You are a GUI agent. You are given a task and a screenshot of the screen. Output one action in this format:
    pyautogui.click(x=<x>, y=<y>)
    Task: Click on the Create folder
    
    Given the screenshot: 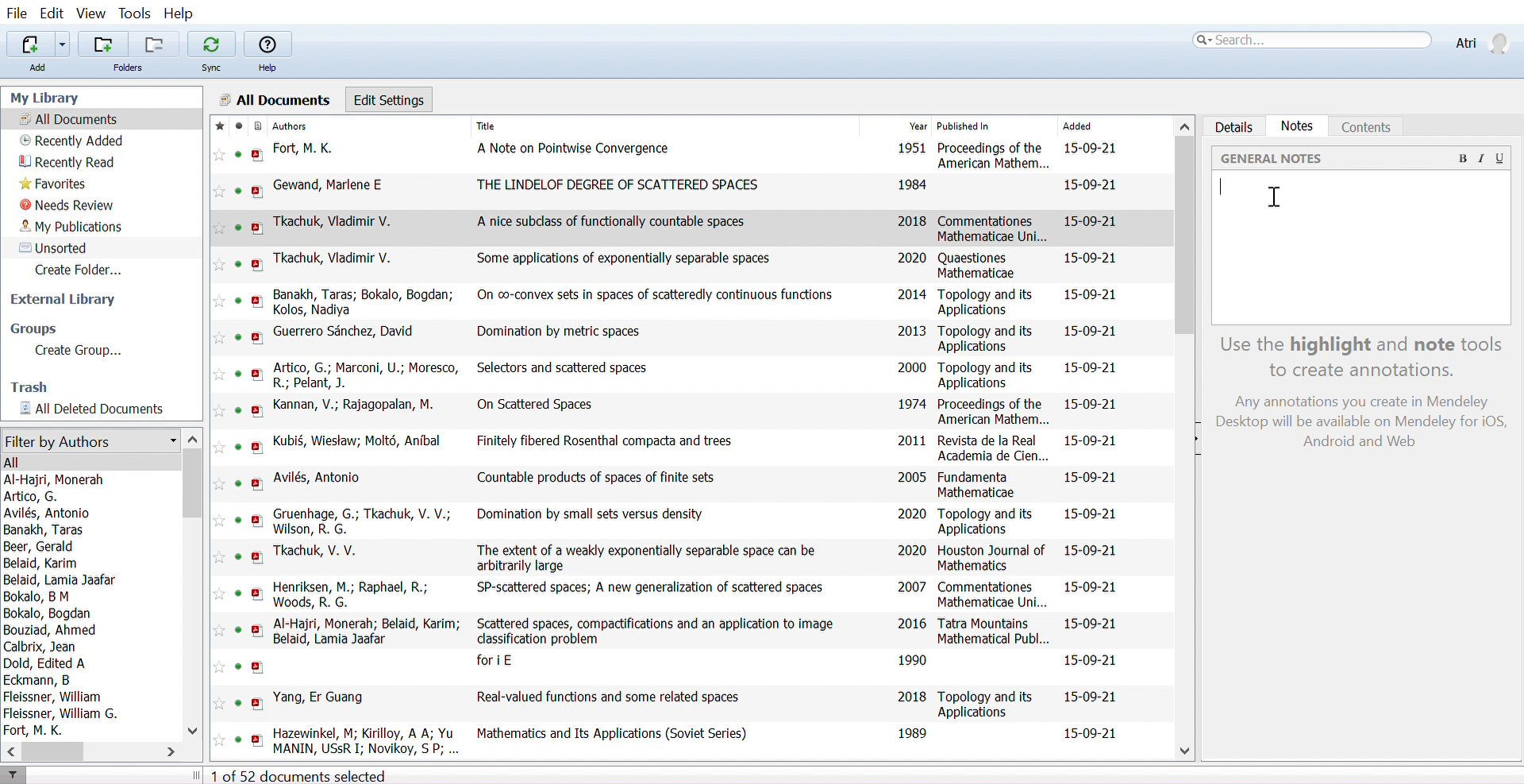 What is the action you would take?
    pyautogui.click(x=85, y=270)
    